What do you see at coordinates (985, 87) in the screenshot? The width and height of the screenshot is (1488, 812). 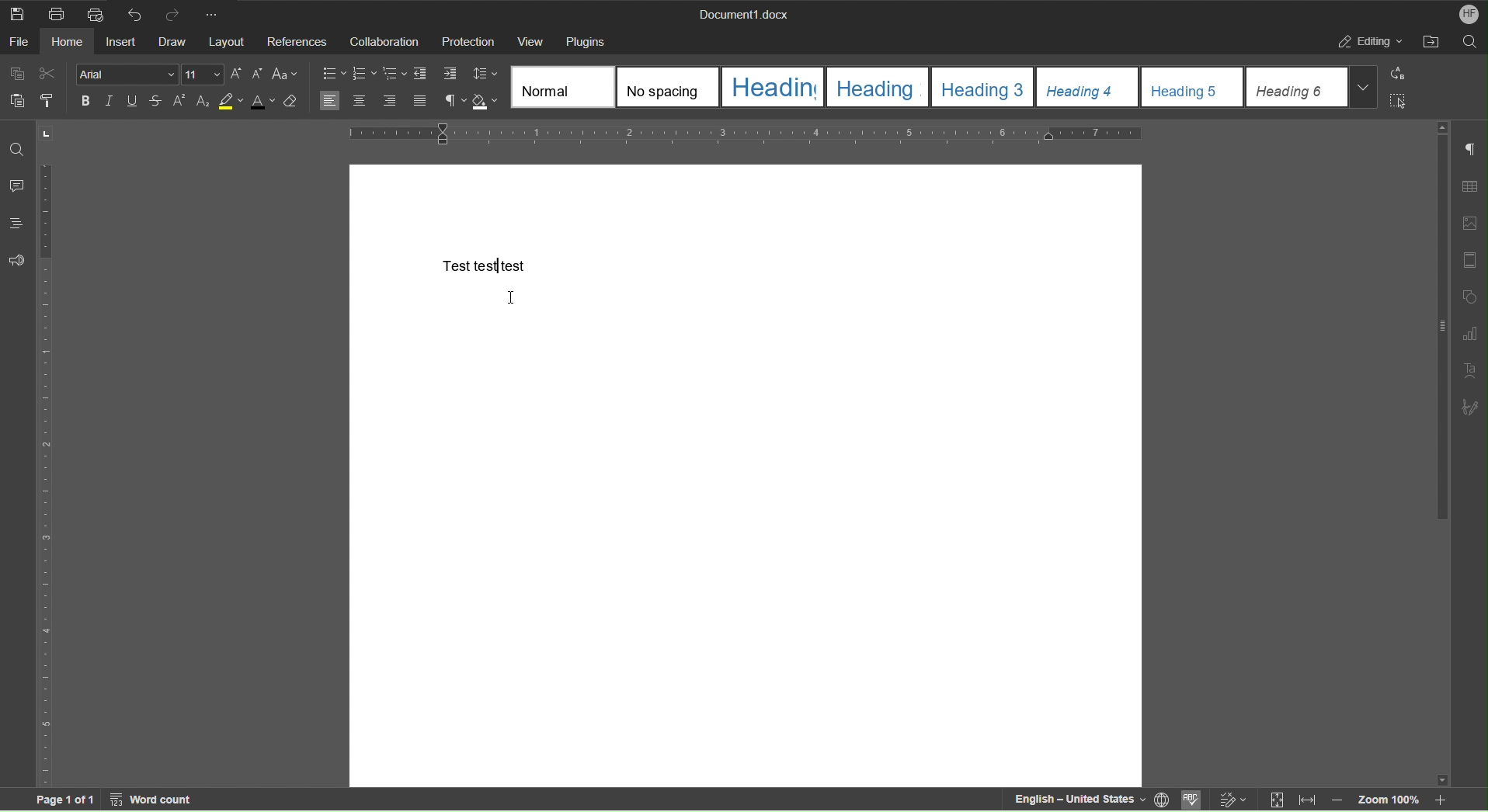 I see `Heading 3` at bounding box center [985, 87].